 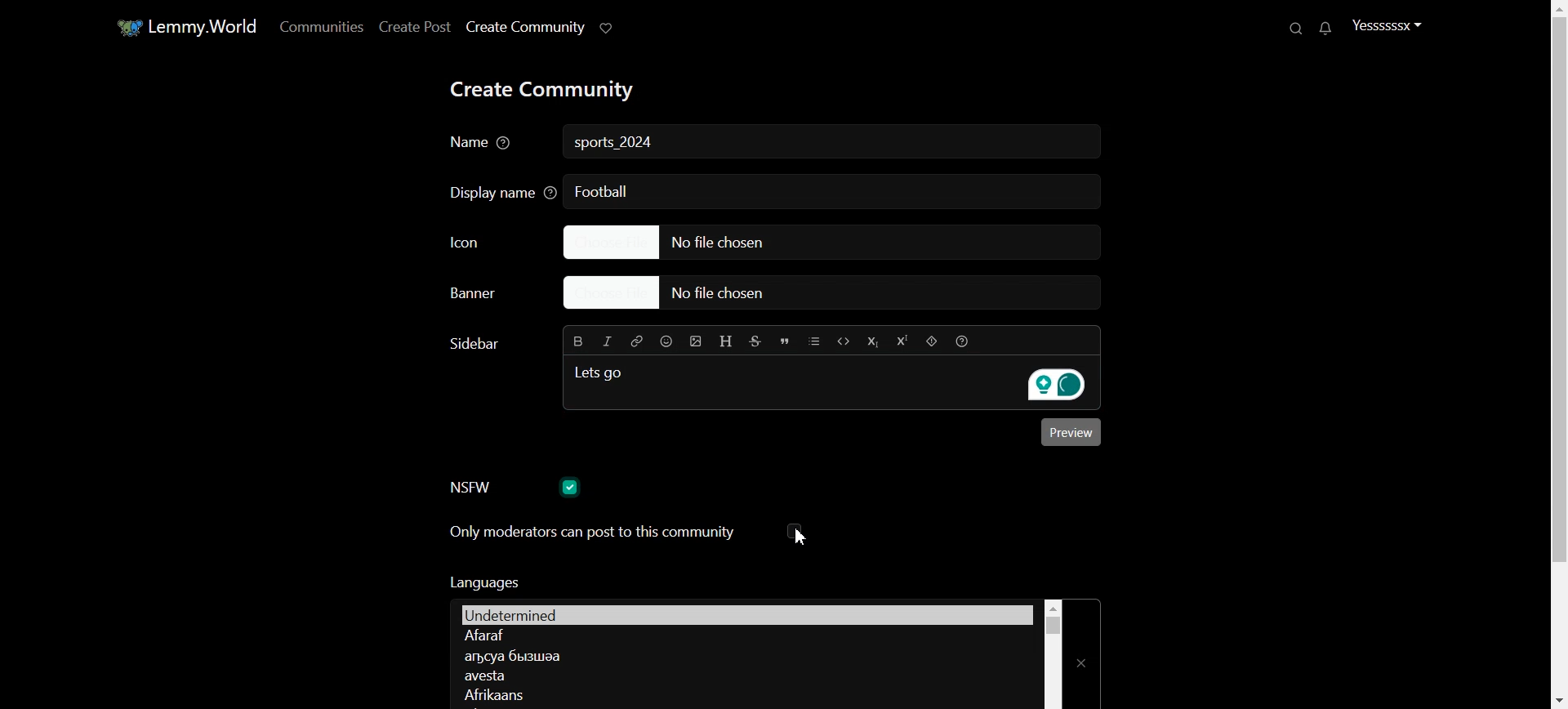 What do you see at coordinates (1298, 28) in the screenshot?
I see `Search` at bounding box center [1298, 28].